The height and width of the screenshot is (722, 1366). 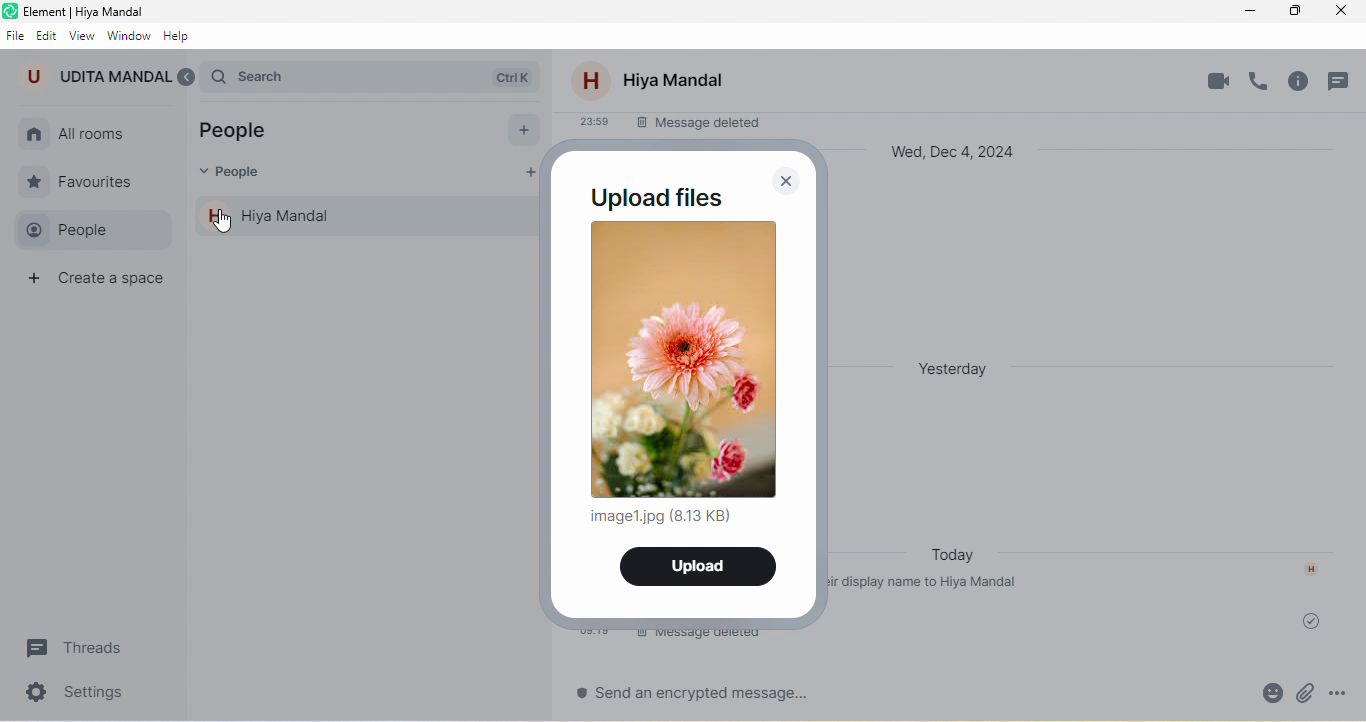 I want to click on file, so click(x=15, y=31).